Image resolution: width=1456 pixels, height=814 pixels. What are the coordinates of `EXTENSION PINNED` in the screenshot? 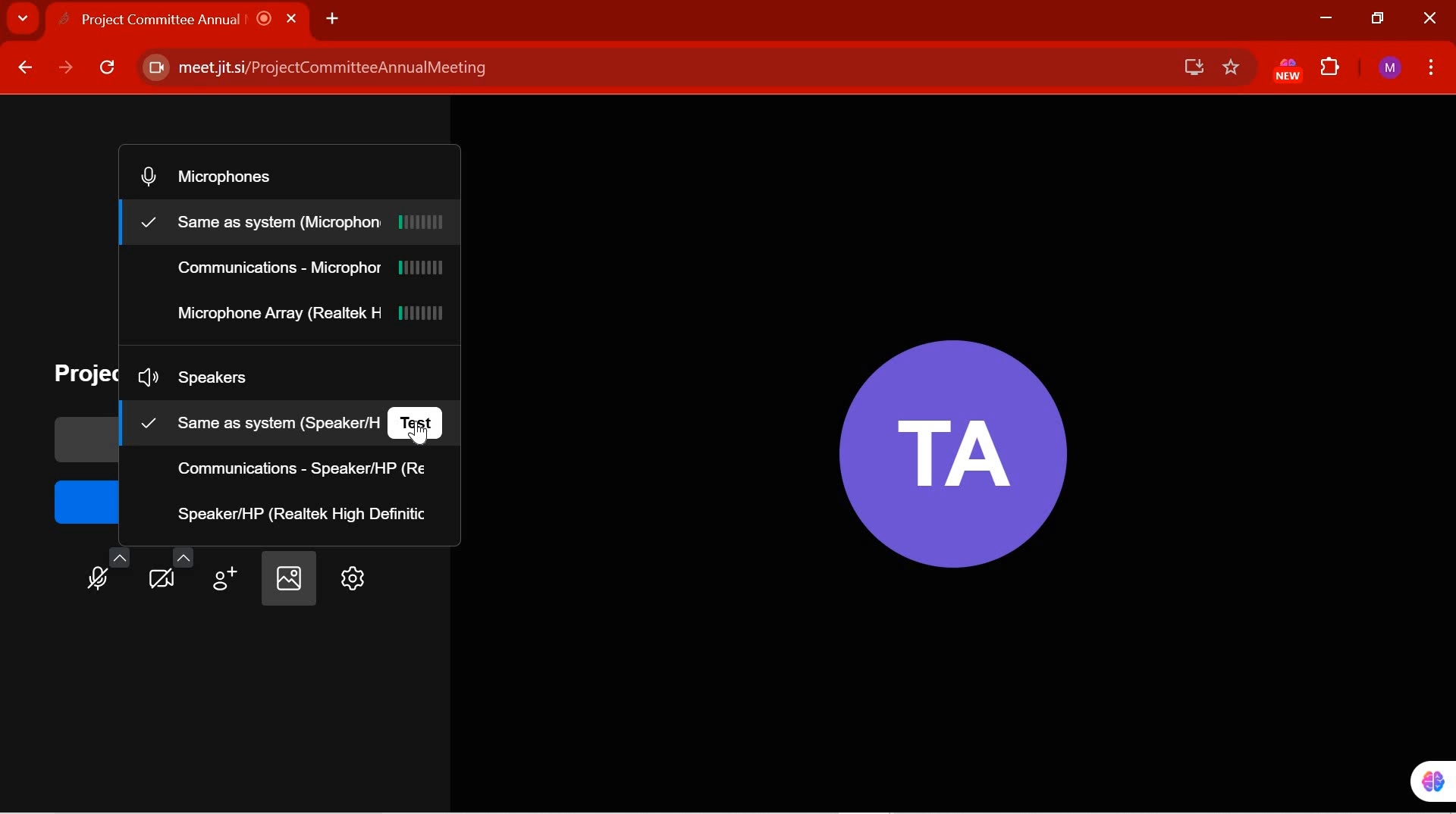 It's located at (1283, 70).